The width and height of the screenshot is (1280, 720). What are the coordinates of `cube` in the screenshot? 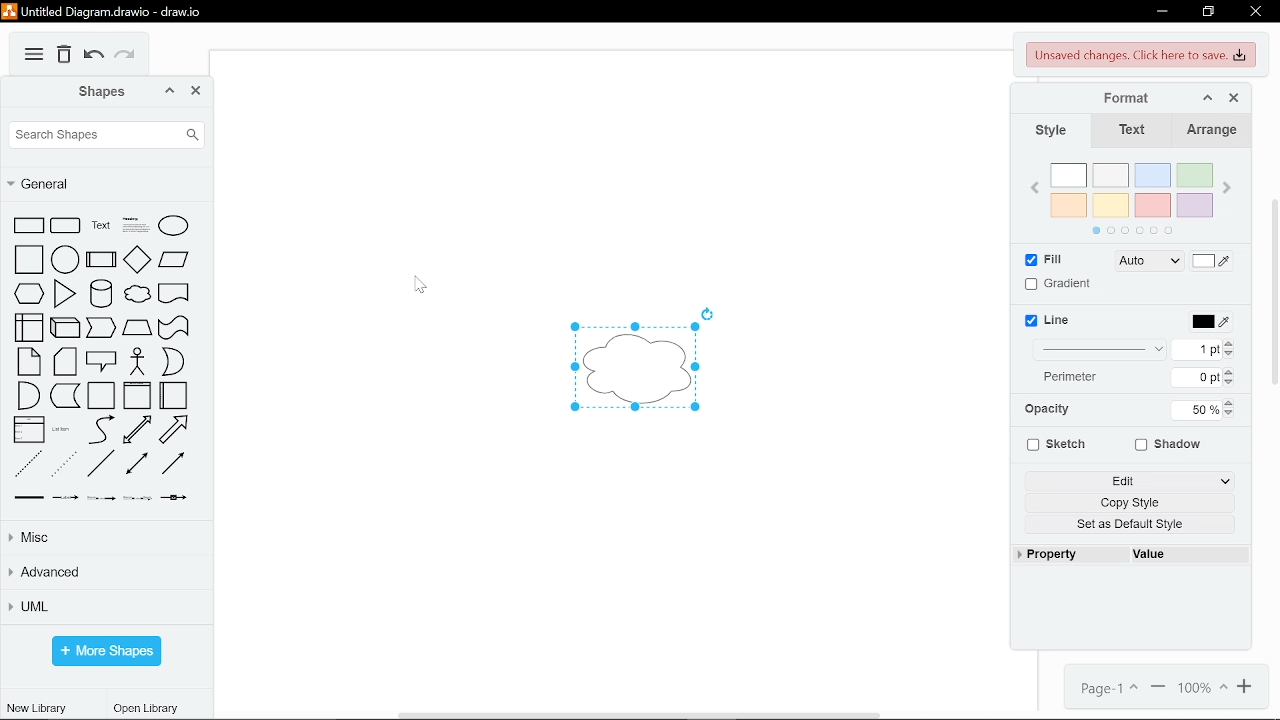 It's located at (66, 328).